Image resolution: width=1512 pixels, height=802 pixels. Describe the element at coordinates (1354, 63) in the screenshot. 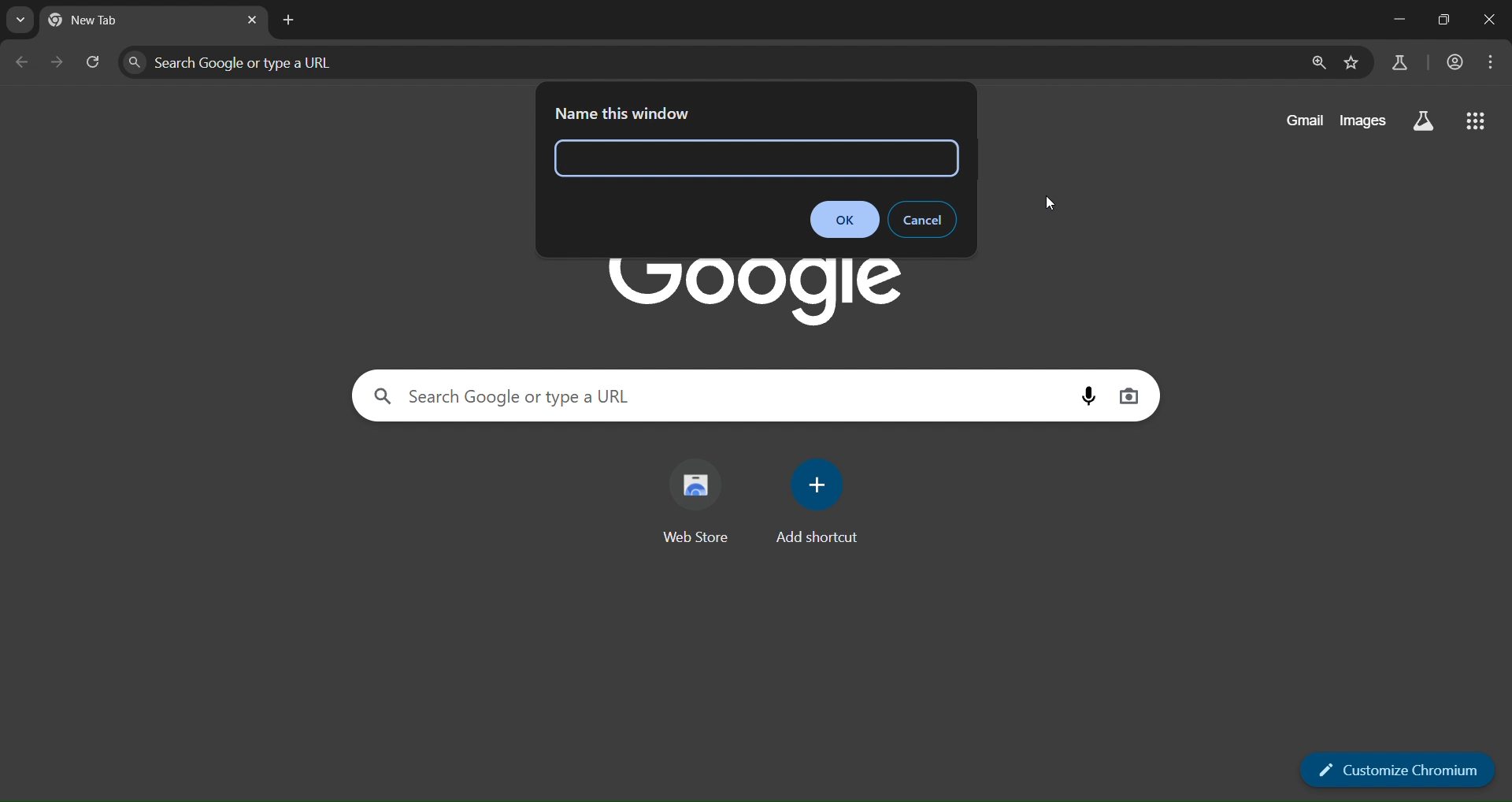

I see `bookmark page` at that location.